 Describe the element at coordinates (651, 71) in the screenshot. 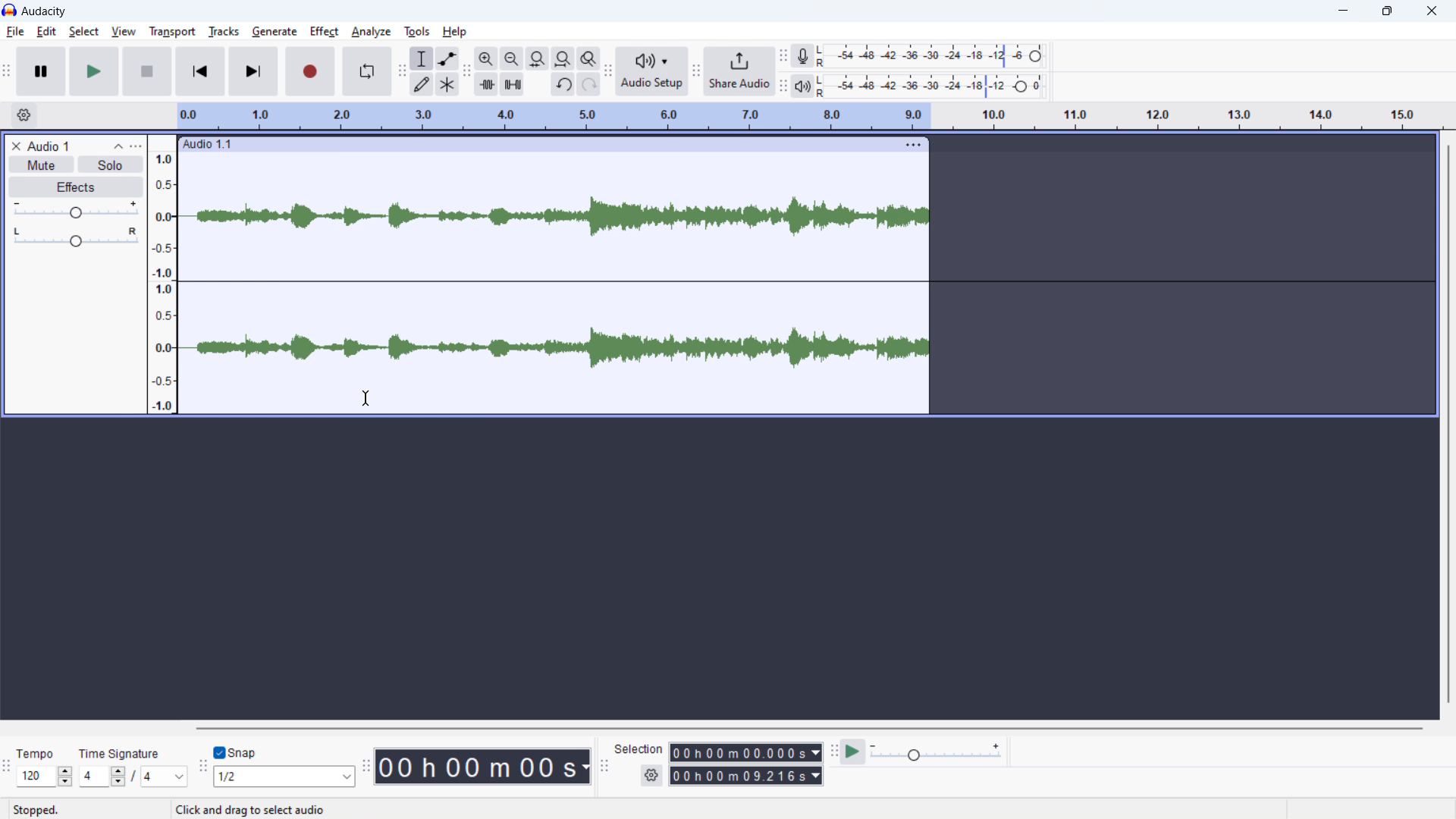

I see `audio setup` at that location.